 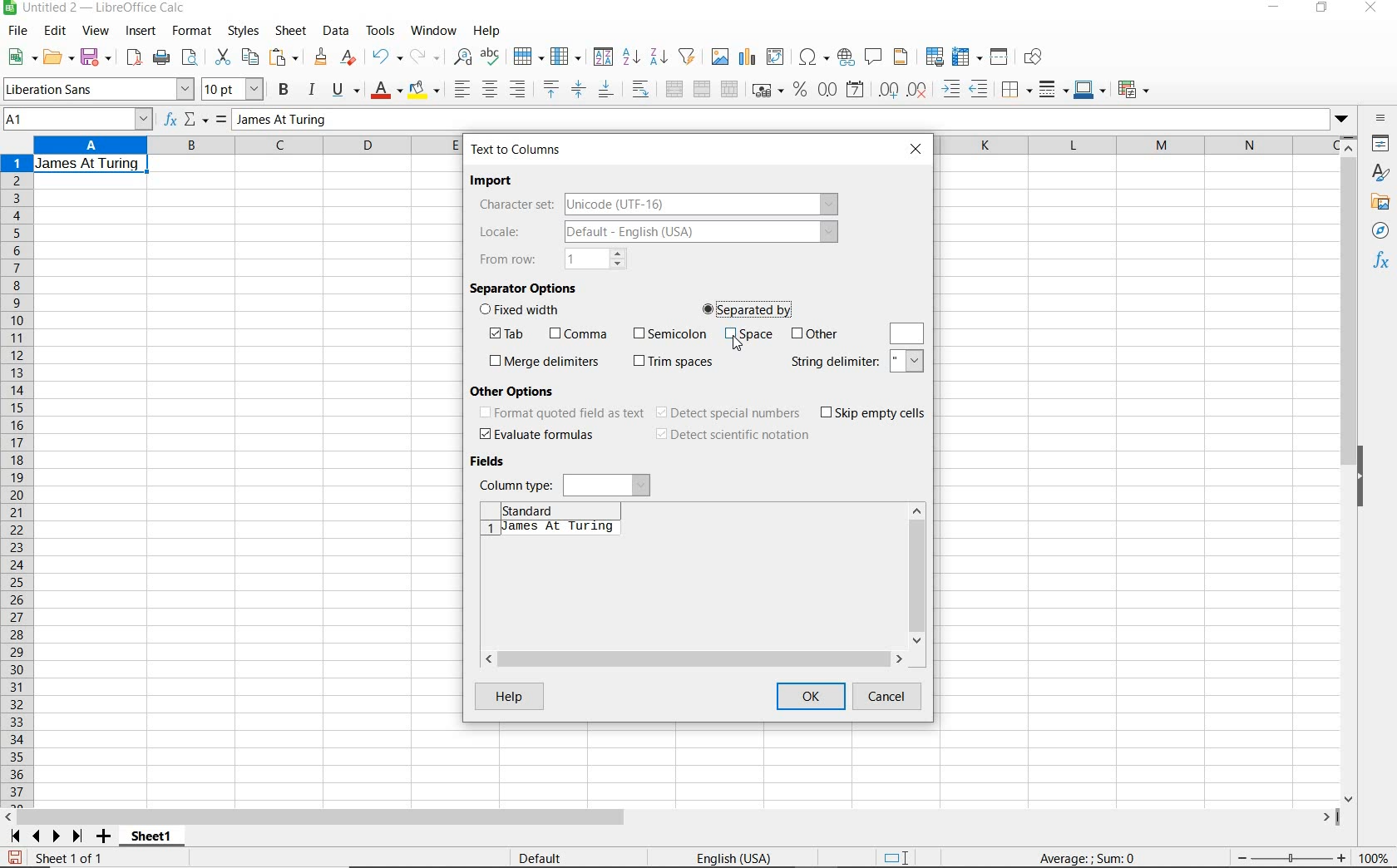 What do you see at coordinates (921, 90) in the screenshot?
I see `delete decimal place` at bounding box center [921, 90].